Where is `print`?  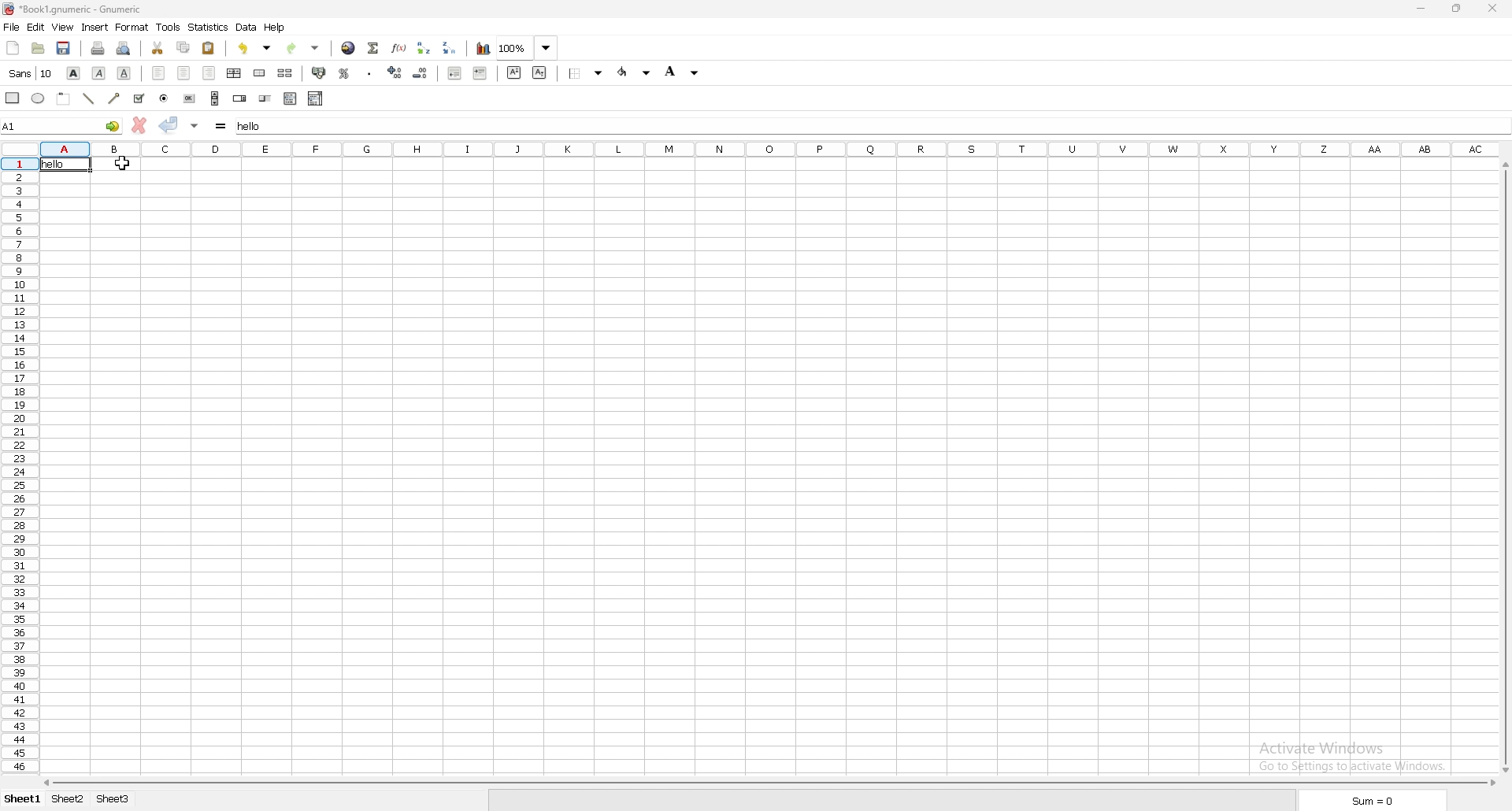 print is located at coordinates (98, 48).